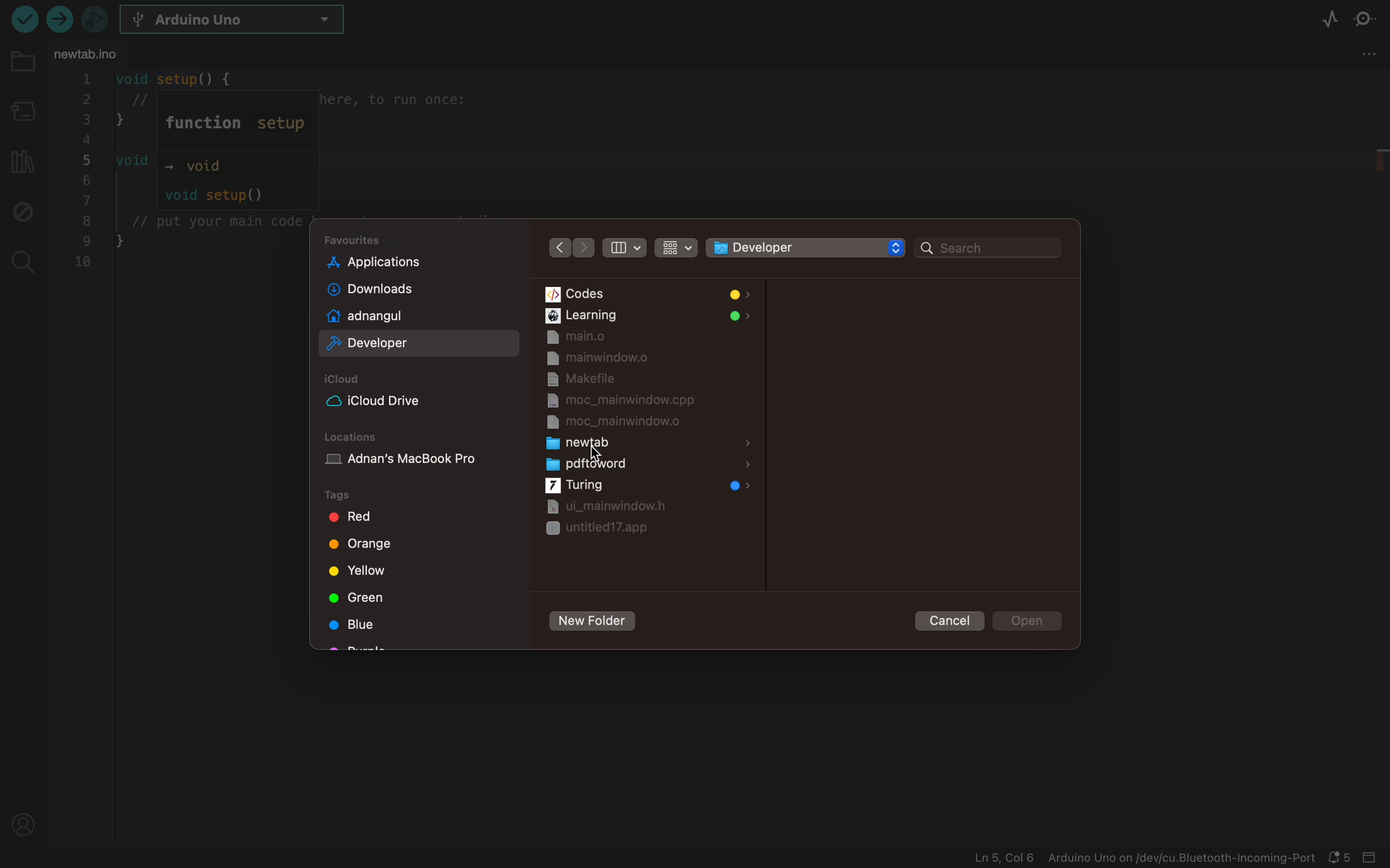  What do you see at coordinates (988, 249) in the screenshot?
I see `search bar` at bounding box center [988, 249].